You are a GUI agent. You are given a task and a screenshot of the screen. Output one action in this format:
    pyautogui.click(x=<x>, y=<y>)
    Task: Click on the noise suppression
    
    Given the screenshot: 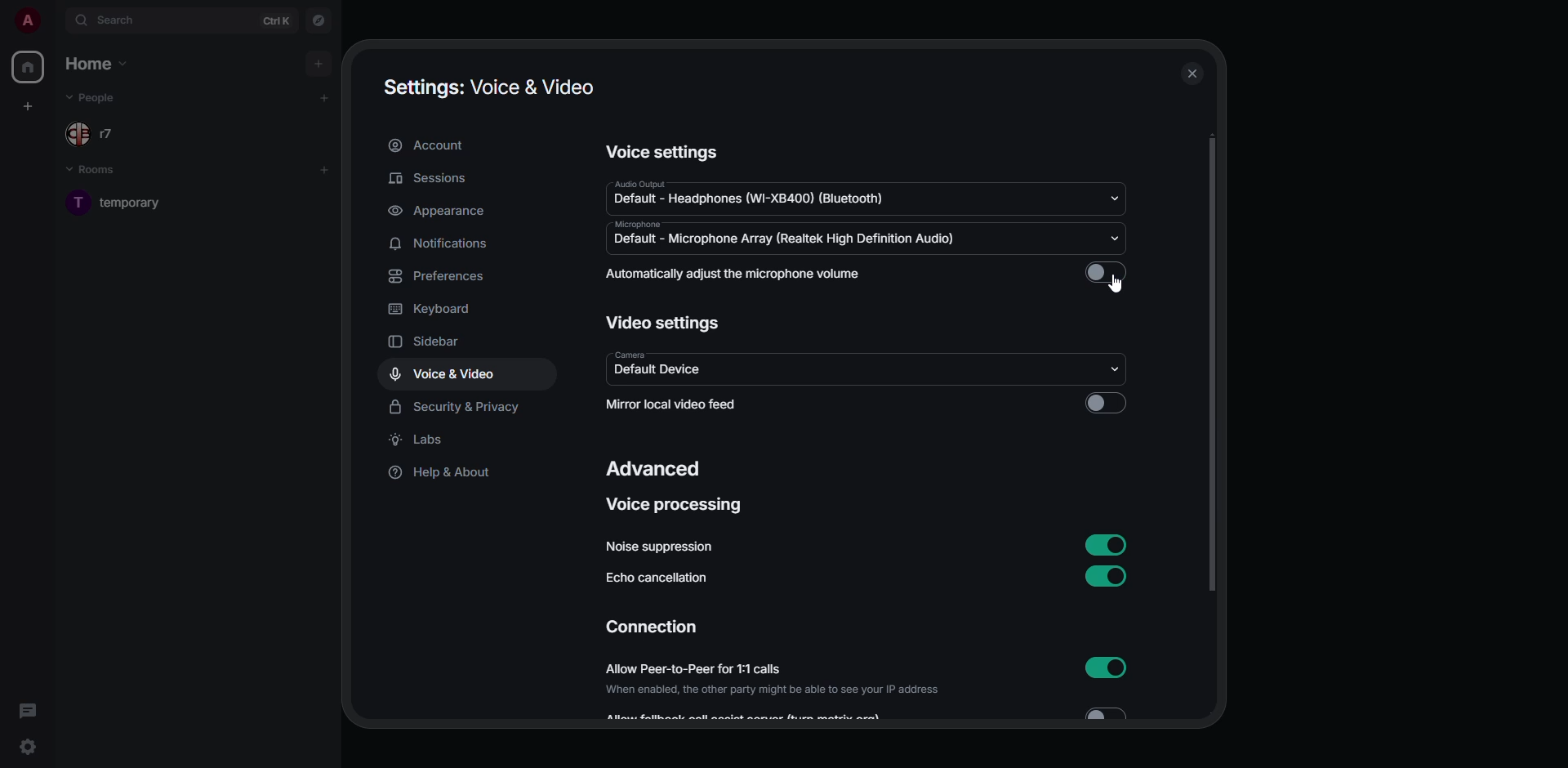 What is the action you would take?
    pyautogui.click(x=659, y=545)
    